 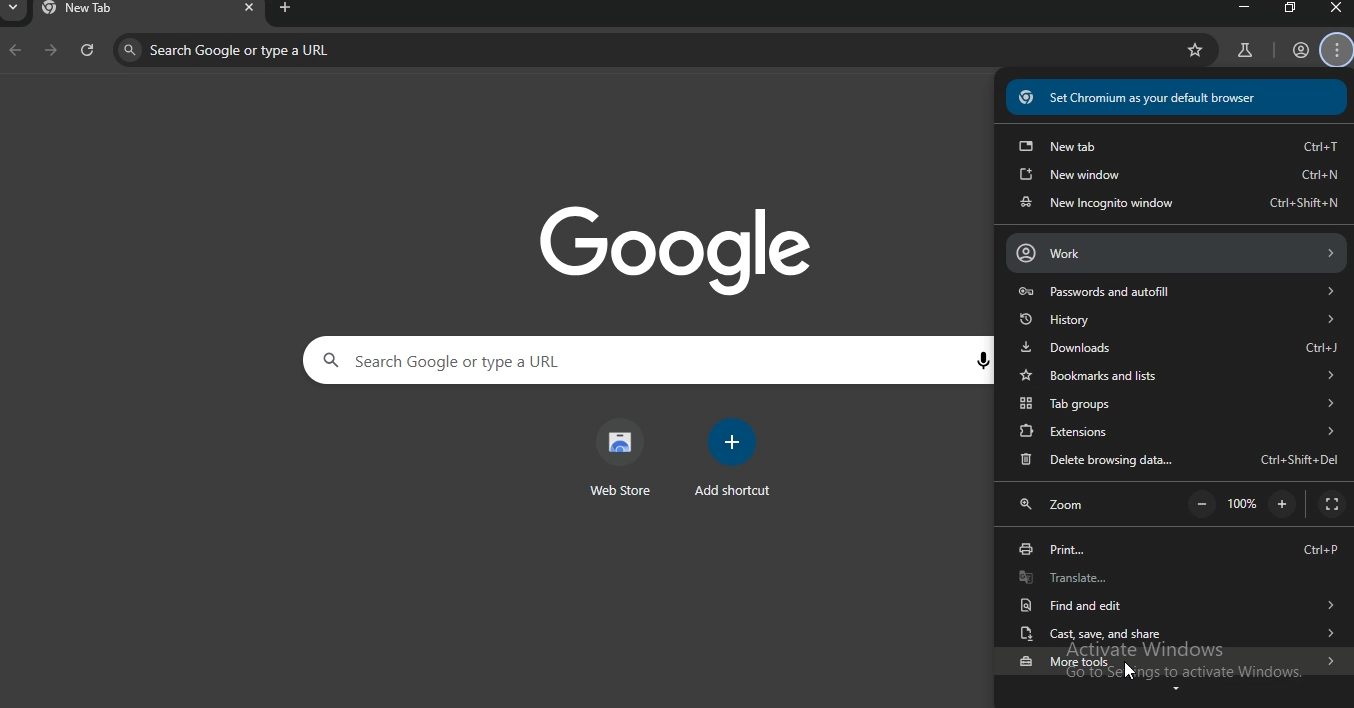 What do you see at coordinates (1337, 8) in the screenshot?
I see `close` at bounding box center [1337, 8].